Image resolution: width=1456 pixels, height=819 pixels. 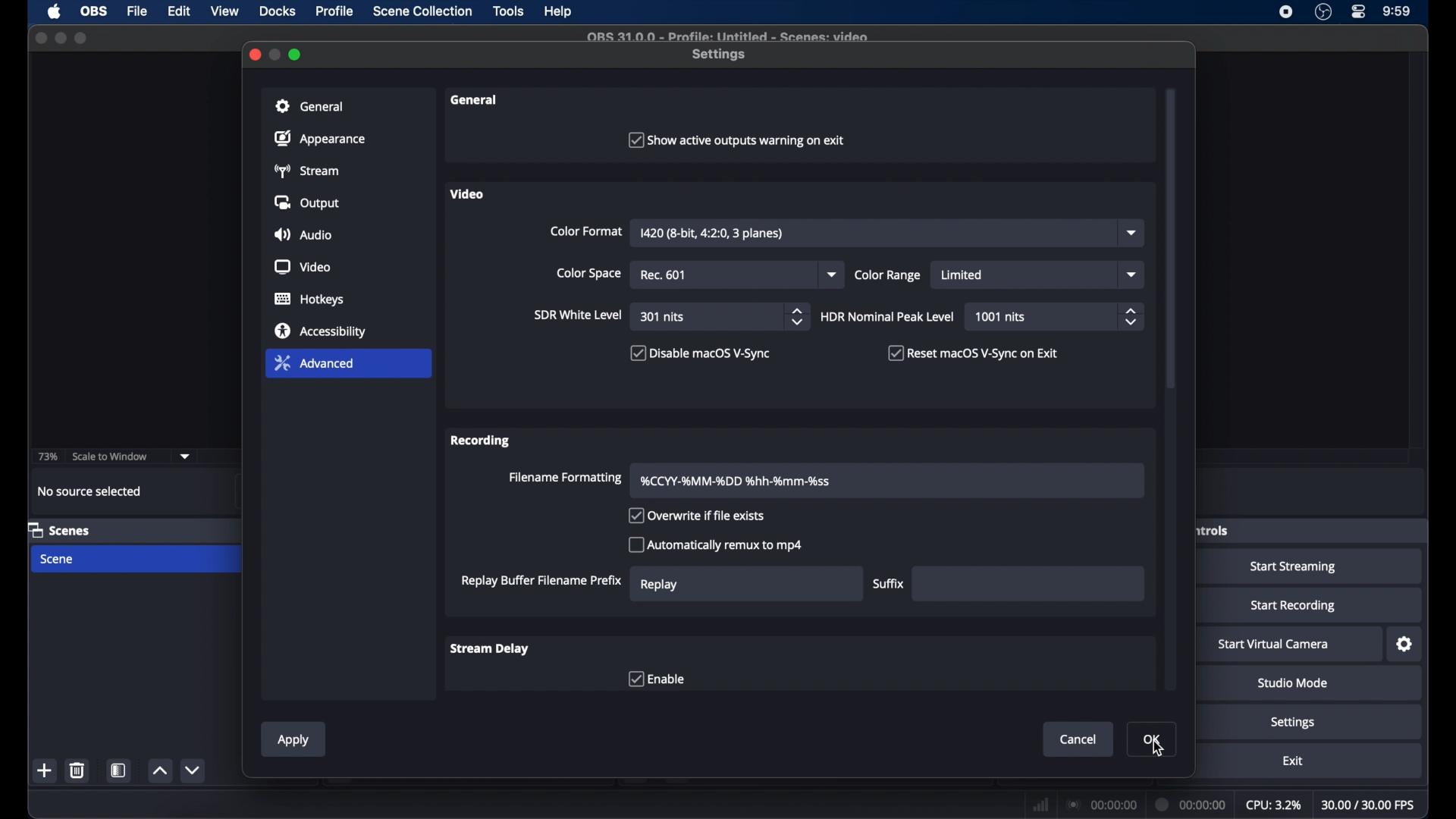 I want to click on close, so click(x=40, y=38).